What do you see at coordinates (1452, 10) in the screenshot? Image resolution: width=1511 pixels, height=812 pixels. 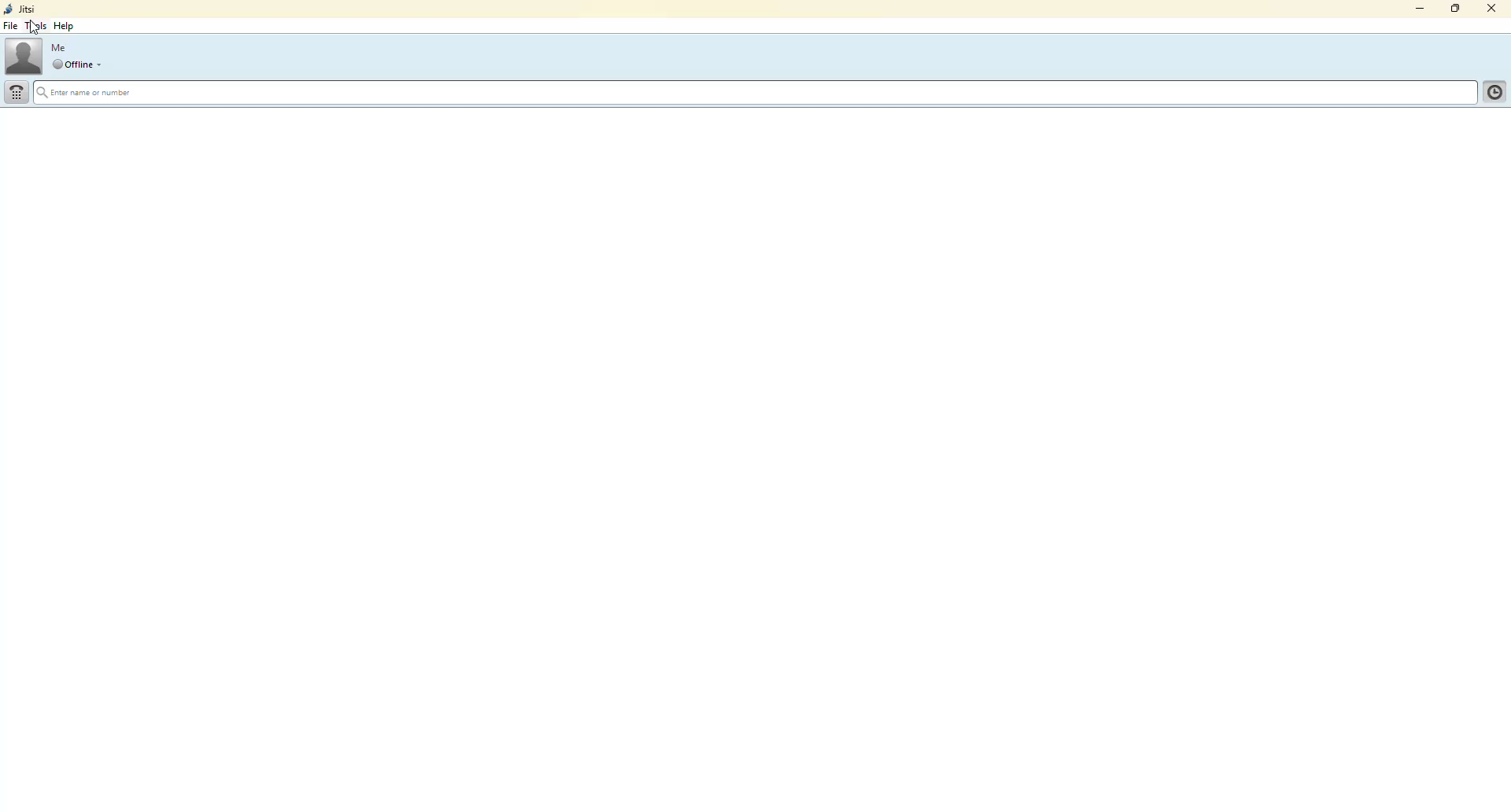 I see `maximize` at bounding box center [1452, 10].